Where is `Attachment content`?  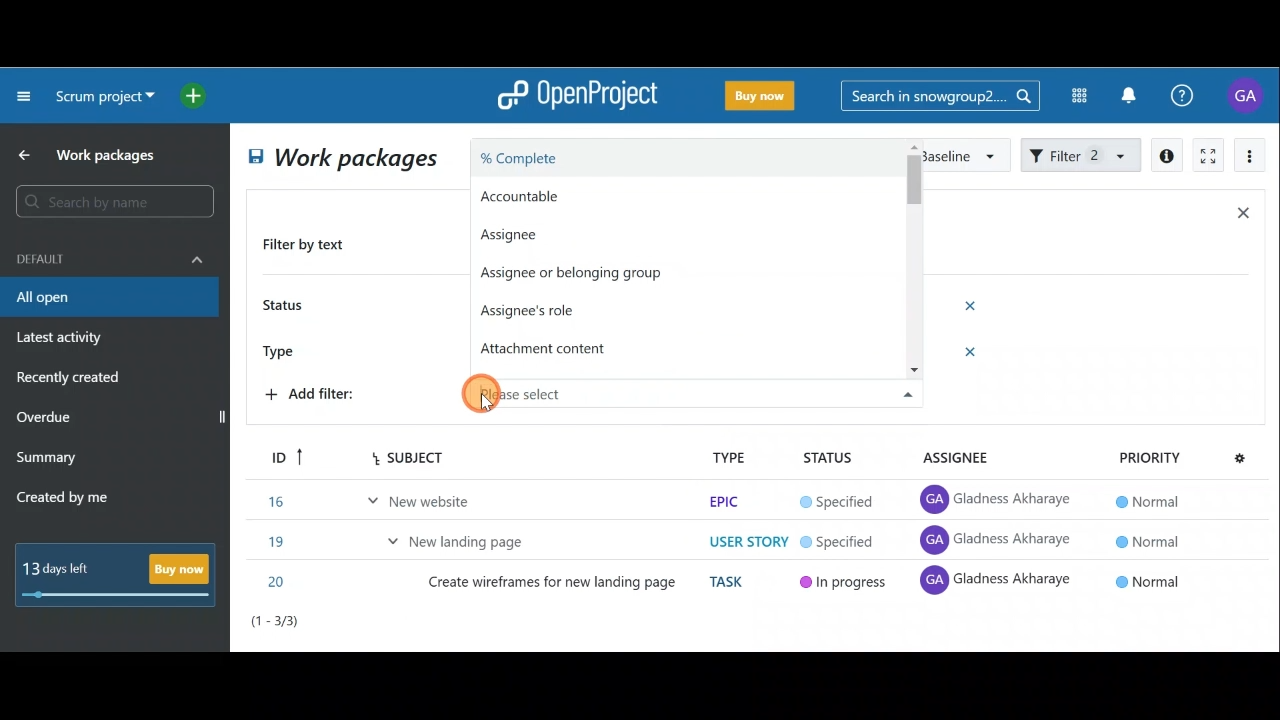 Attachment content is located at coordinates (553, 347).